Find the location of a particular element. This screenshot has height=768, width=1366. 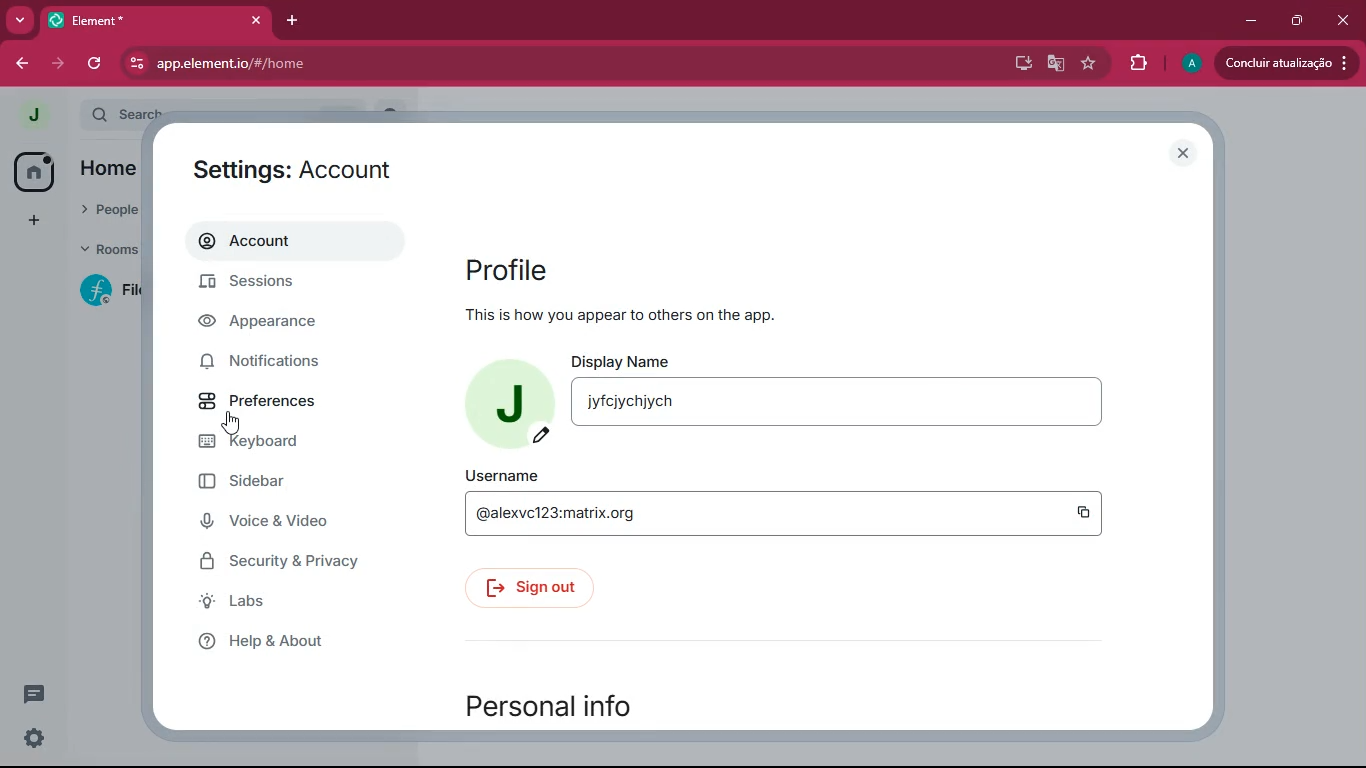

keyboard is located at coordinates (277, 444).